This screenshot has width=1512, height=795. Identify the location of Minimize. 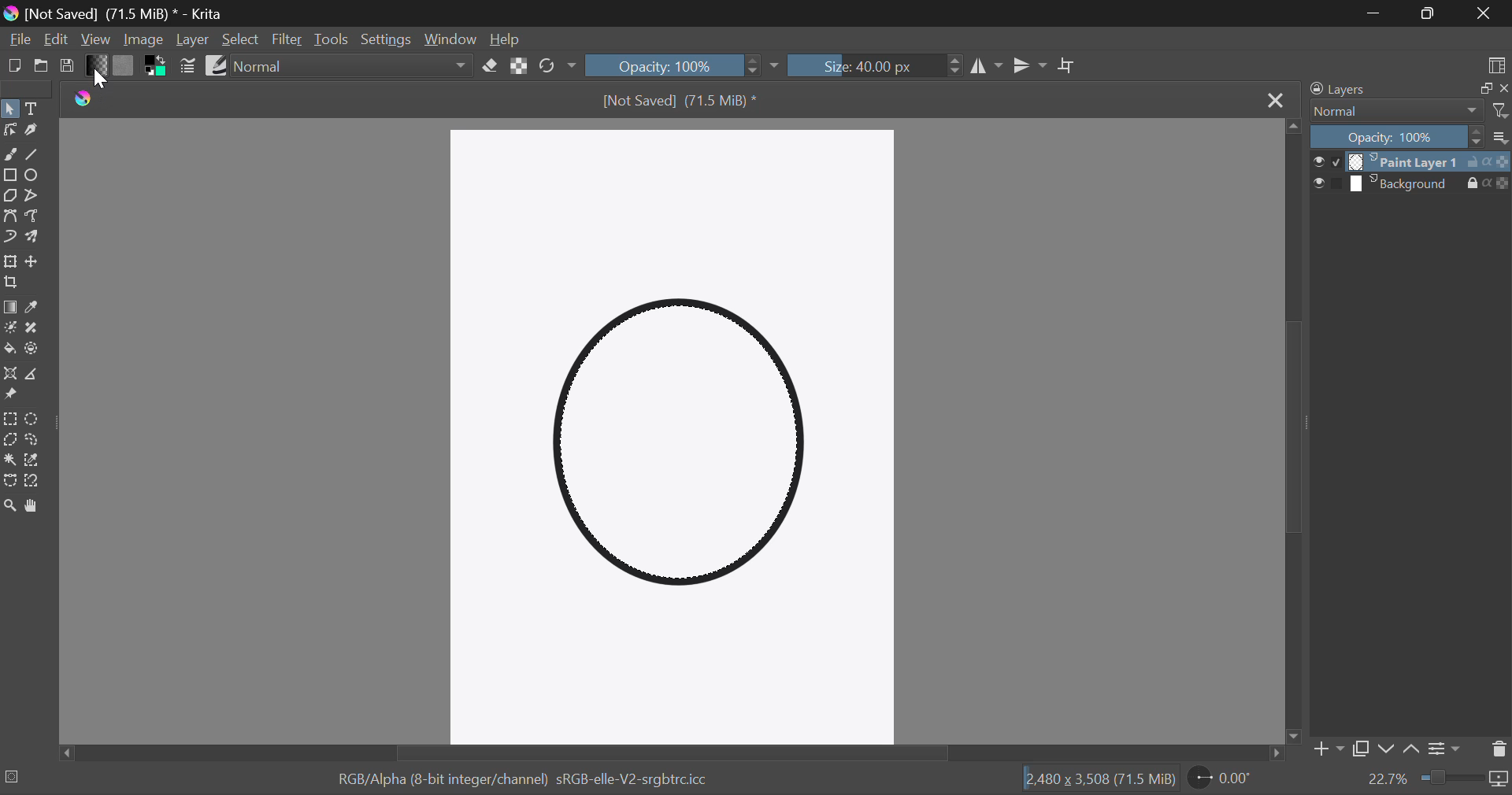
(1430, 14).